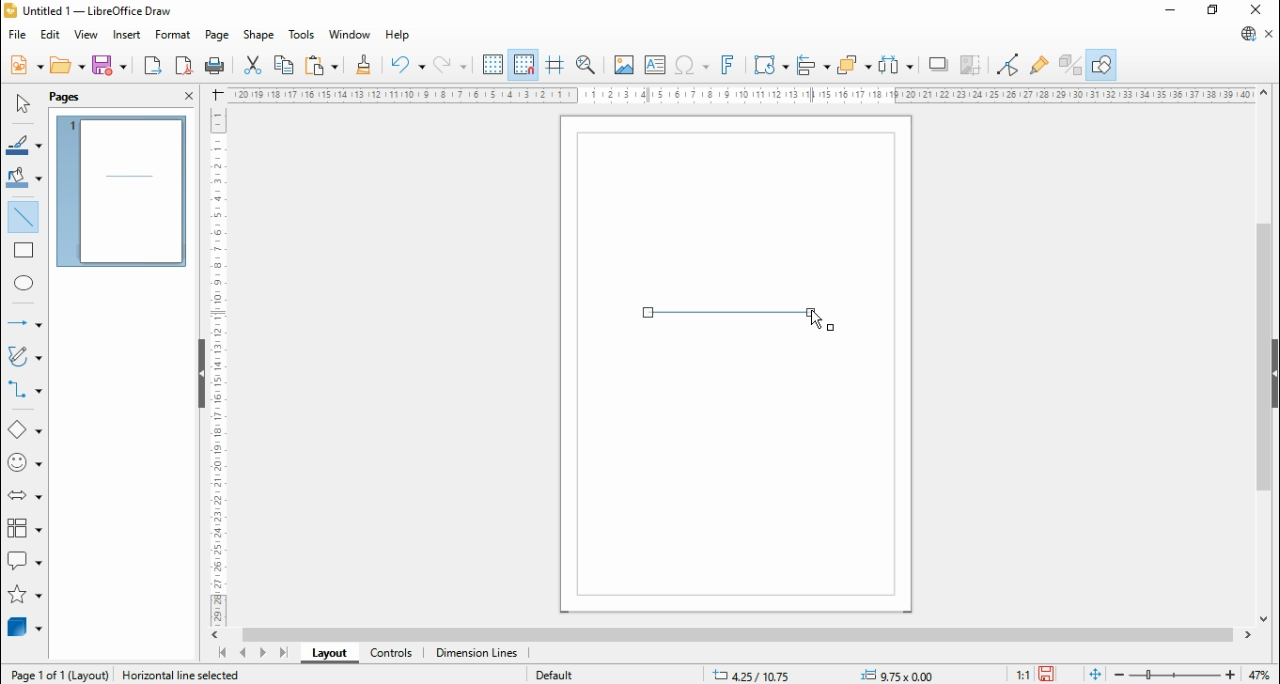 This screenshot has height=684, width=1280. What do you see at coordinates (1262, 674) in the screenshot?
I see `zoom factor` at bounding box center [1262, 674].